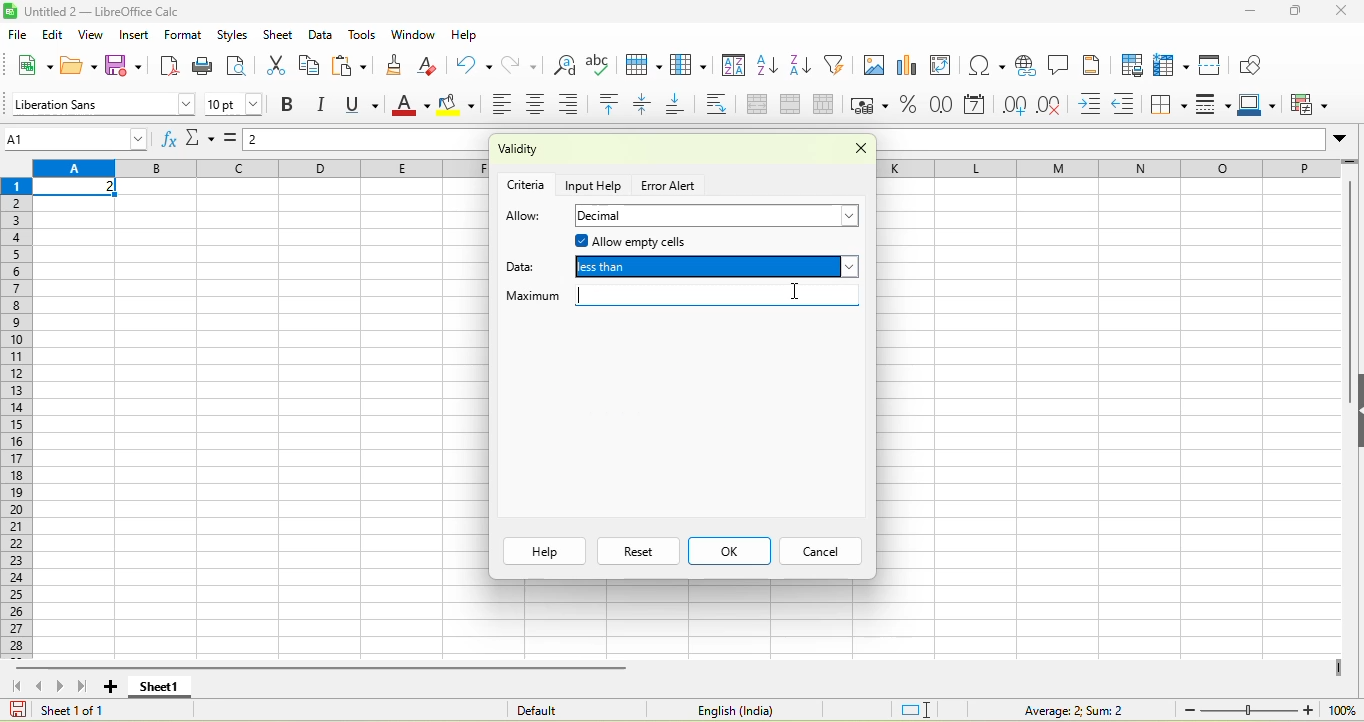  What do you see at coordinates (1351, 166) in the screenshot?
I see `more rows` at bounding box center [1351, 166].